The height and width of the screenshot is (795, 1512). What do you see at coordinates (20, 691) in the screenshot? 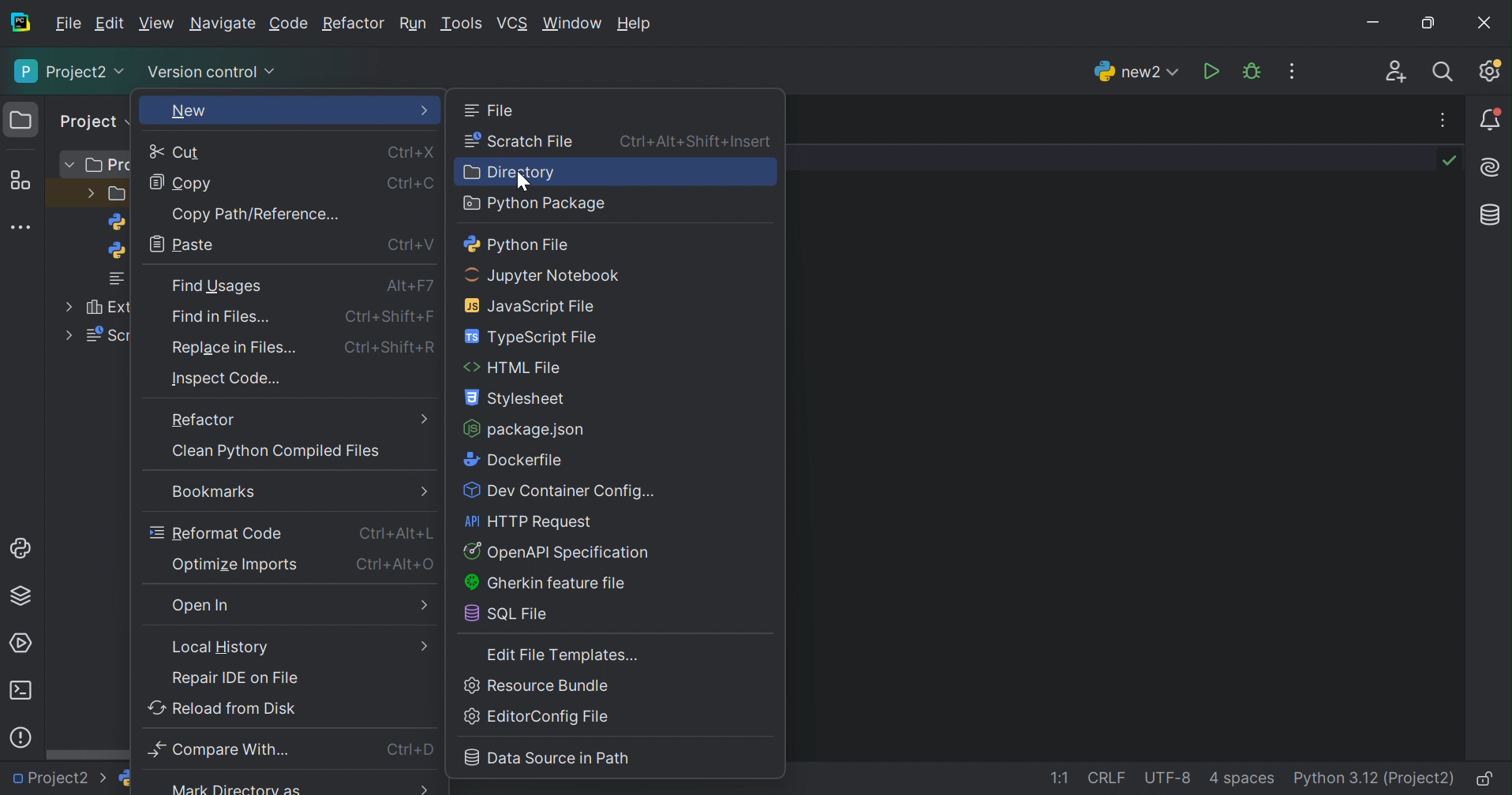
I see `Terminal` at bounding box center [20, 691].